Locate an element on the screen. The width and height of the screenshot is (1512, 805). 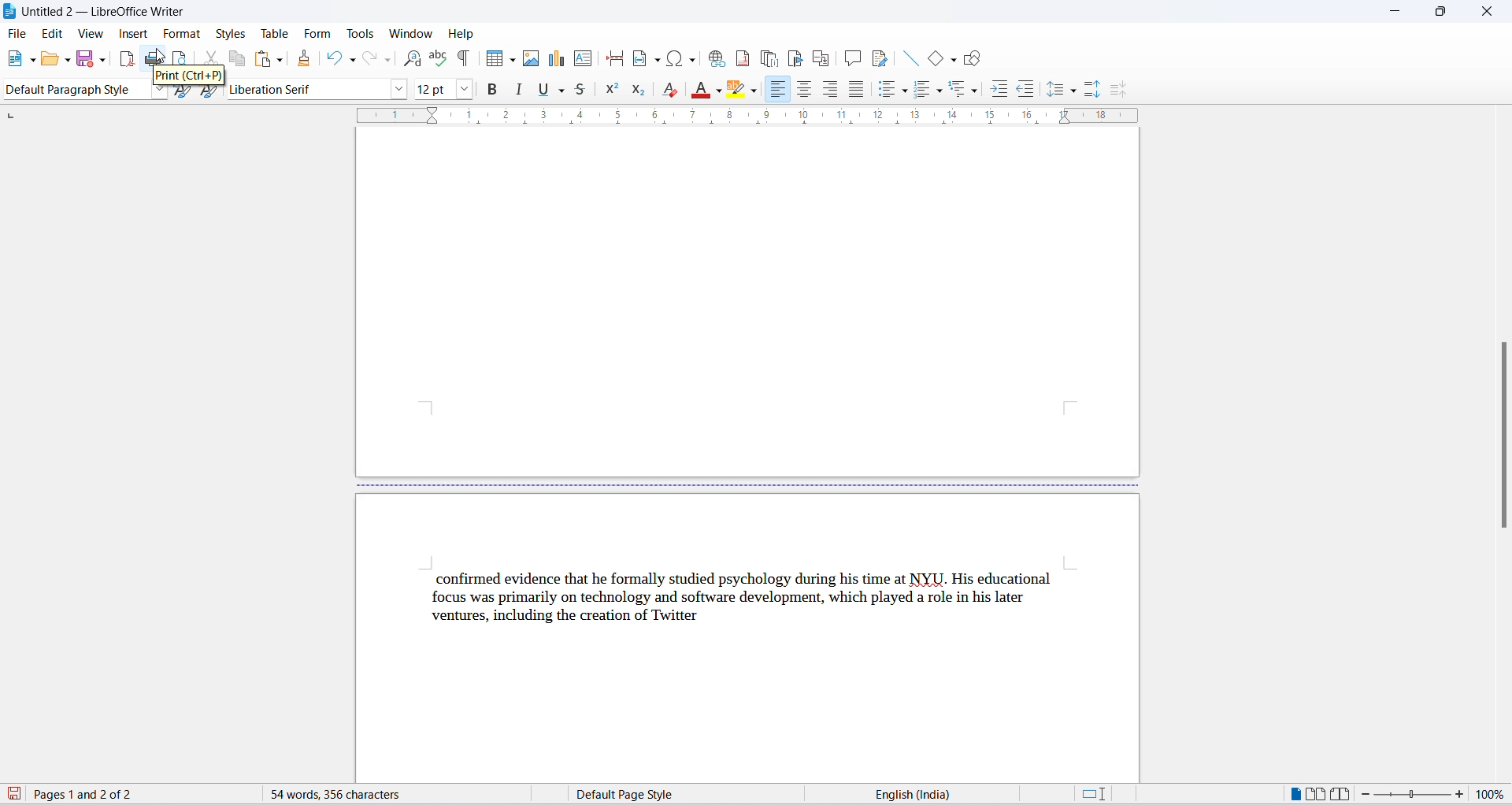
character highlighting color is located at coordinates (760, 89).